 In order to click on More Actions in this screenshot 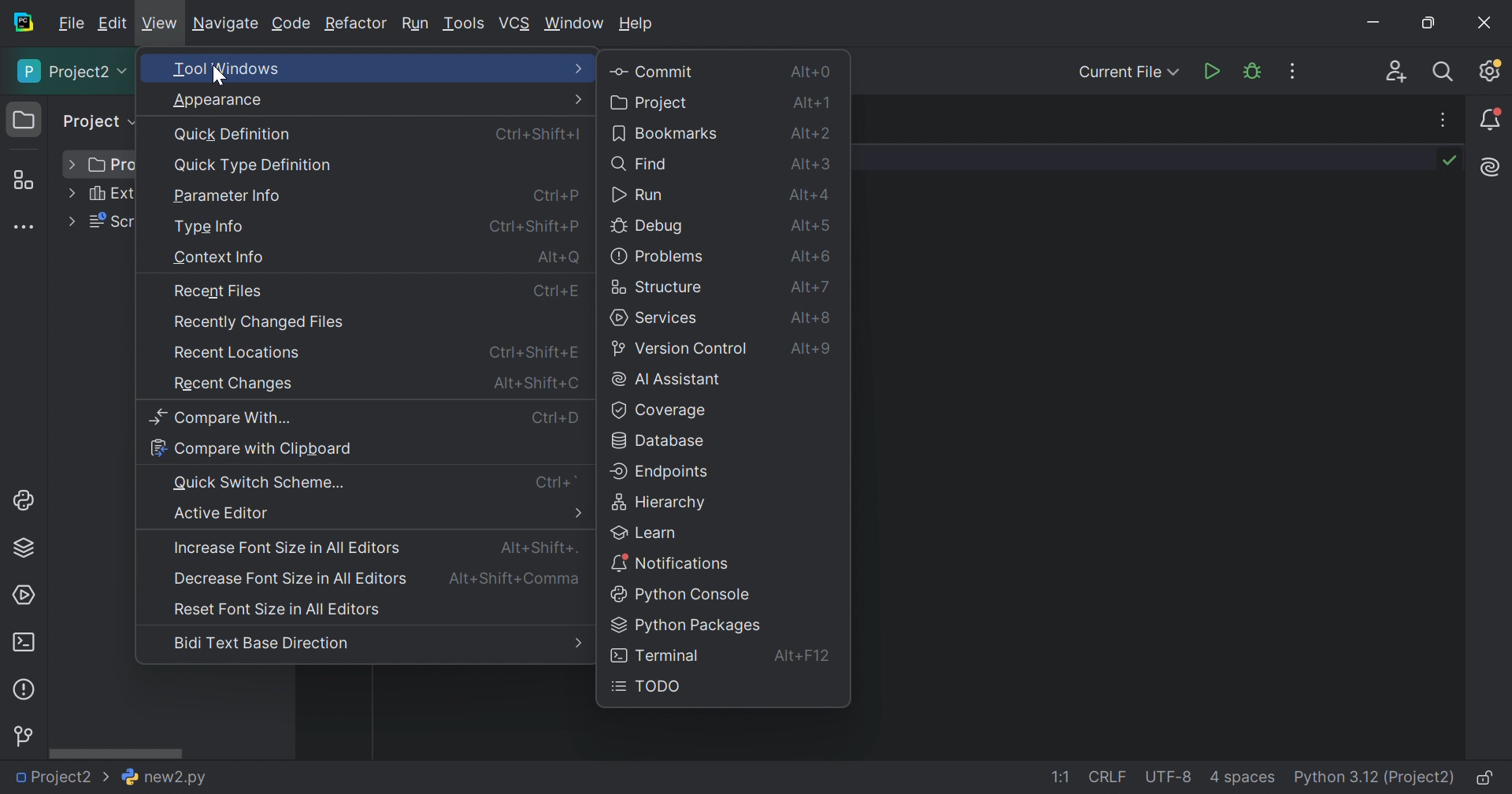, I will do `click(1295, 72)`.